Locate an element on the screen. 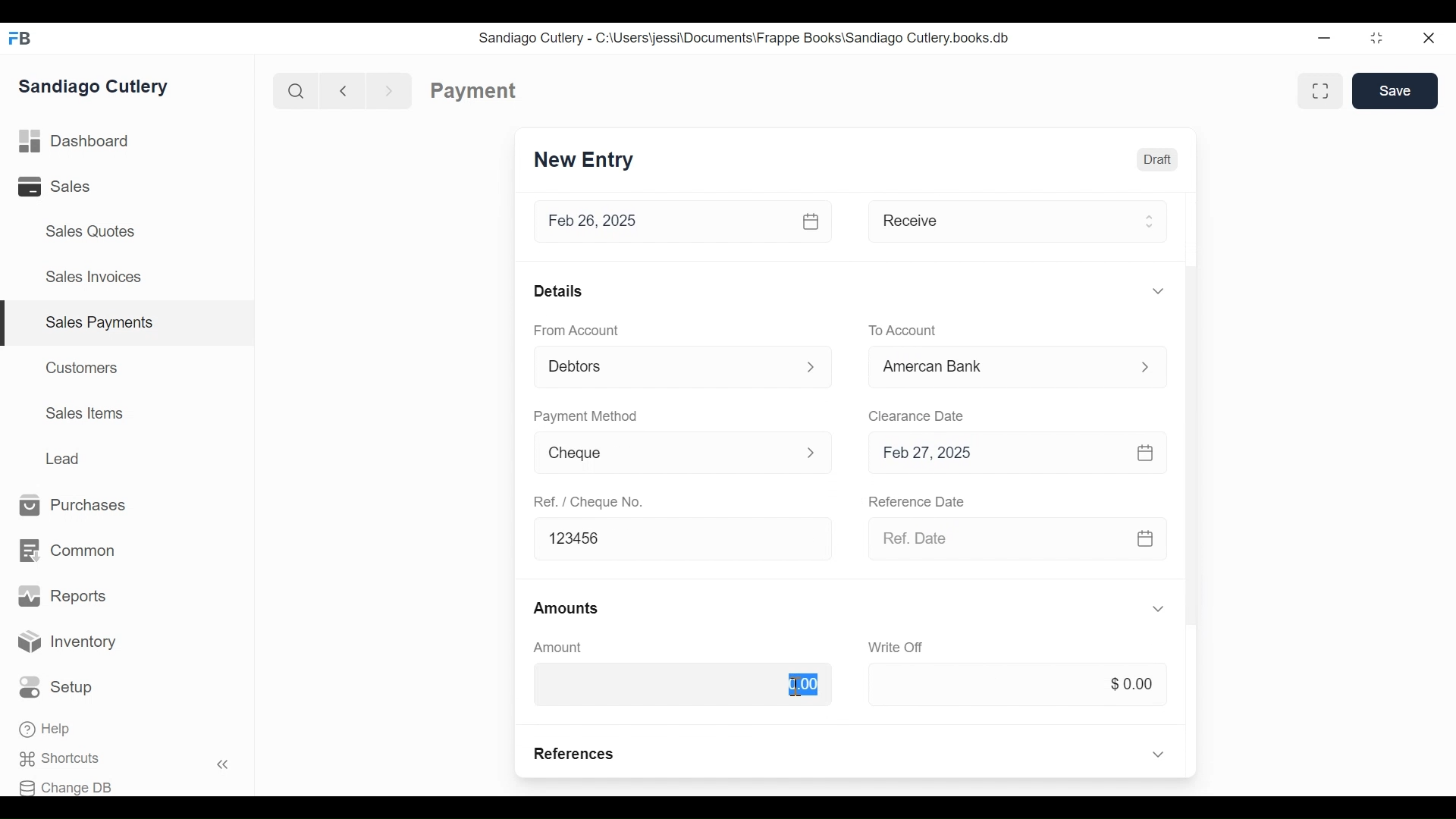 This screenshot has height=819, width=1456. Expand is located at coordinates (811, 451).